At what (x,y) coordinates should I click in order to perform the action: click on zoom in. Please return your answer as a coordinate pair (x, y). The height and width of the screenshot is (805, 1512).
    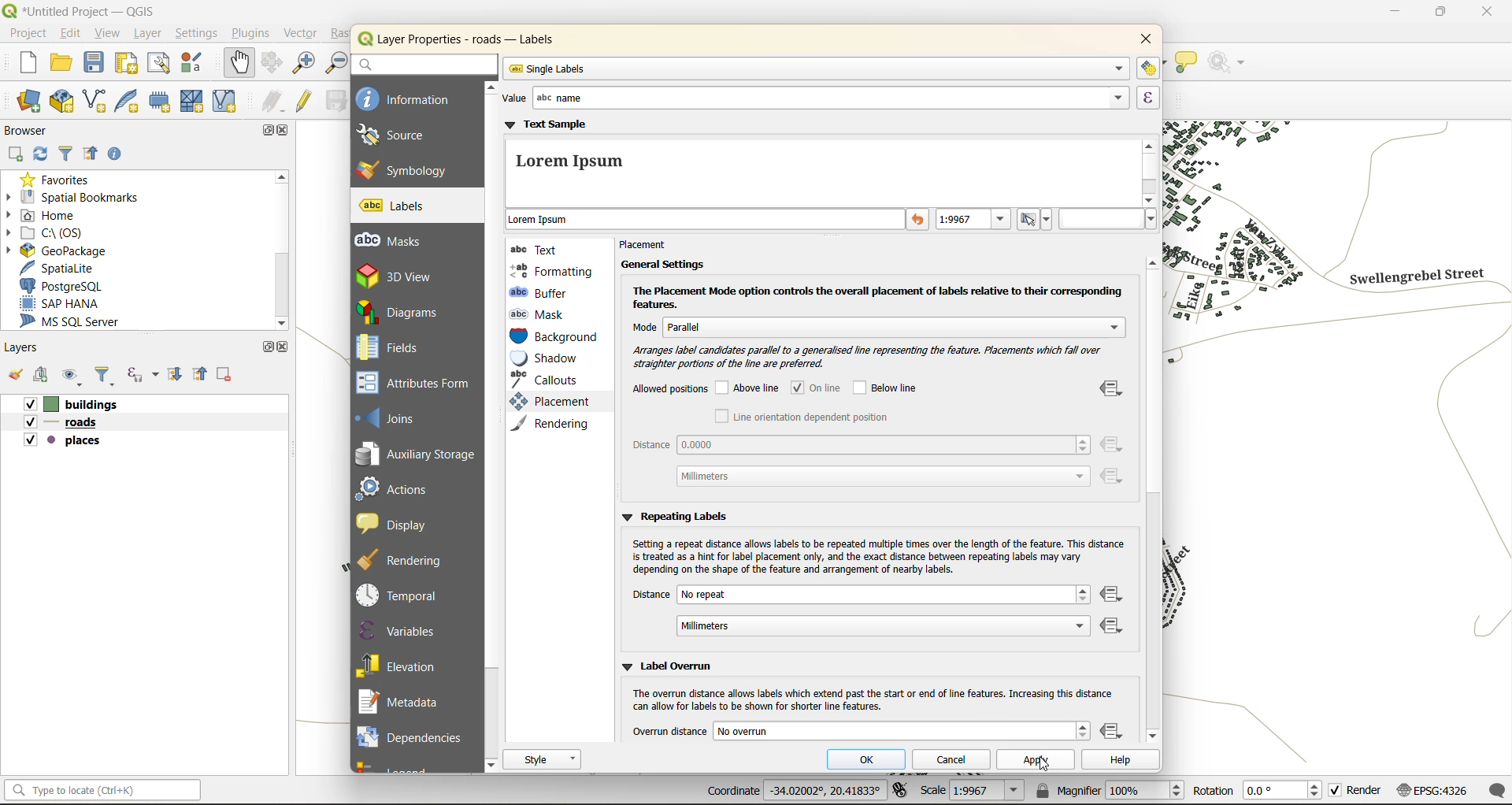
    Looking at the image, I should click on (306, 65).